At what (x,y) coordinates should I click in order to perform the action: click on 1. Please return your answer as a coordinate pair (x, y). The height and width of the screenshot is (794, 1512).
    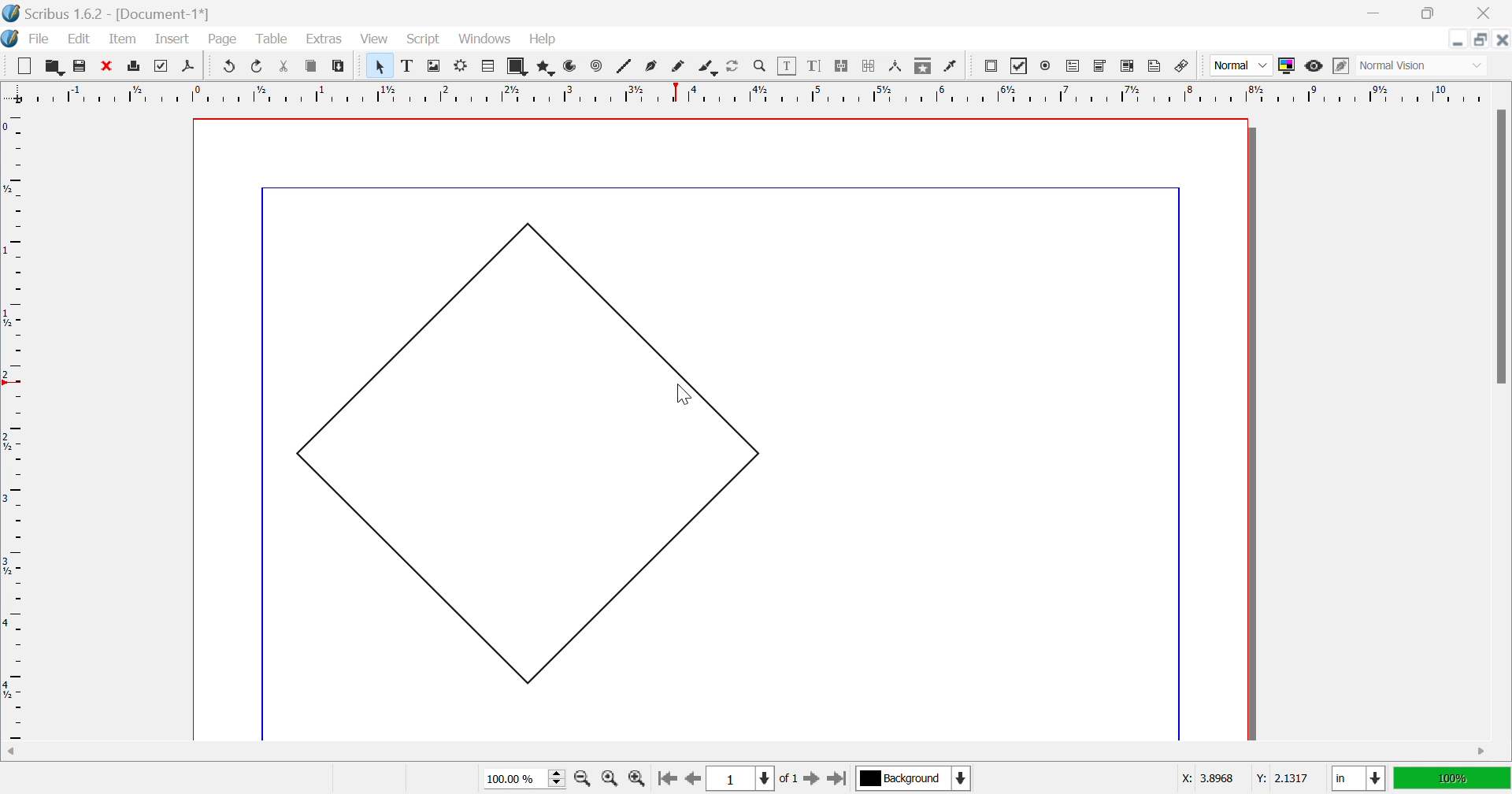
    Looking at the image, I should click on (738, 779).